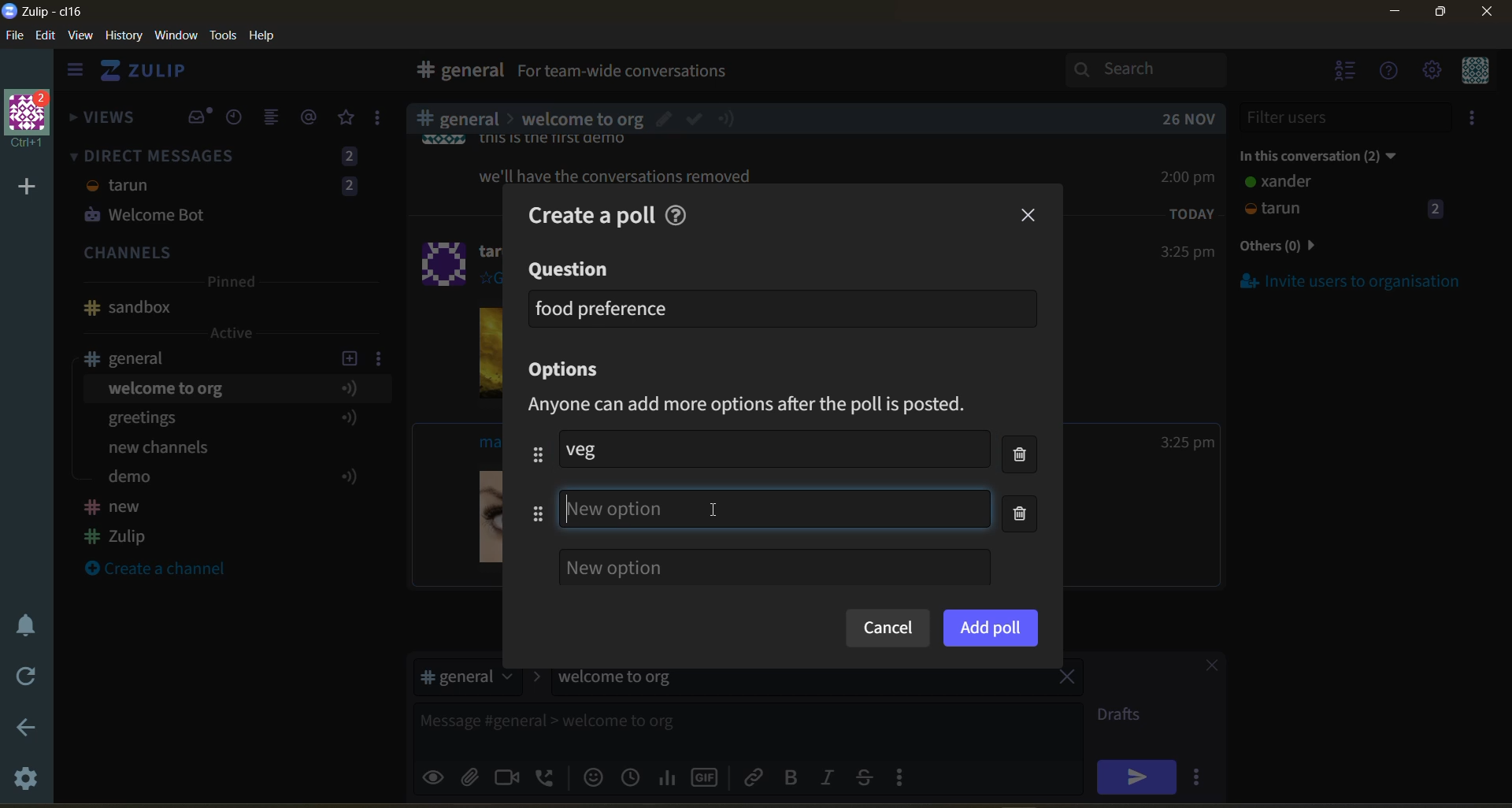  What do you see at coordinates (1204, 668) in the screenshot?
I see `close` at bounding box center [1204, 668].